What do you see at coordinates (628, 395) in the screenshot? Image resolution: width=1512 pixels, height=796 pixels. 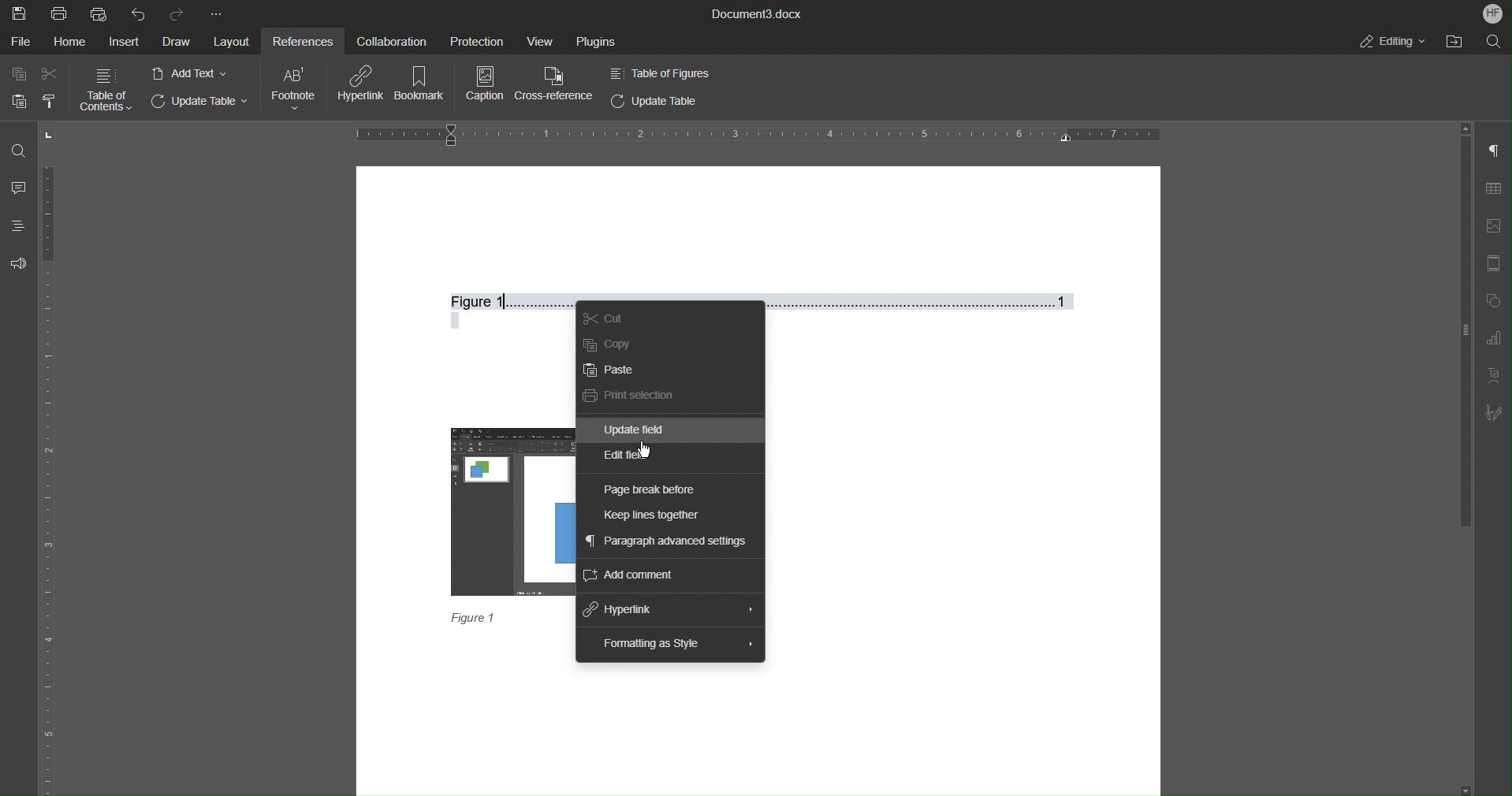 I see `Print selection` at bounding box center [628, 395].